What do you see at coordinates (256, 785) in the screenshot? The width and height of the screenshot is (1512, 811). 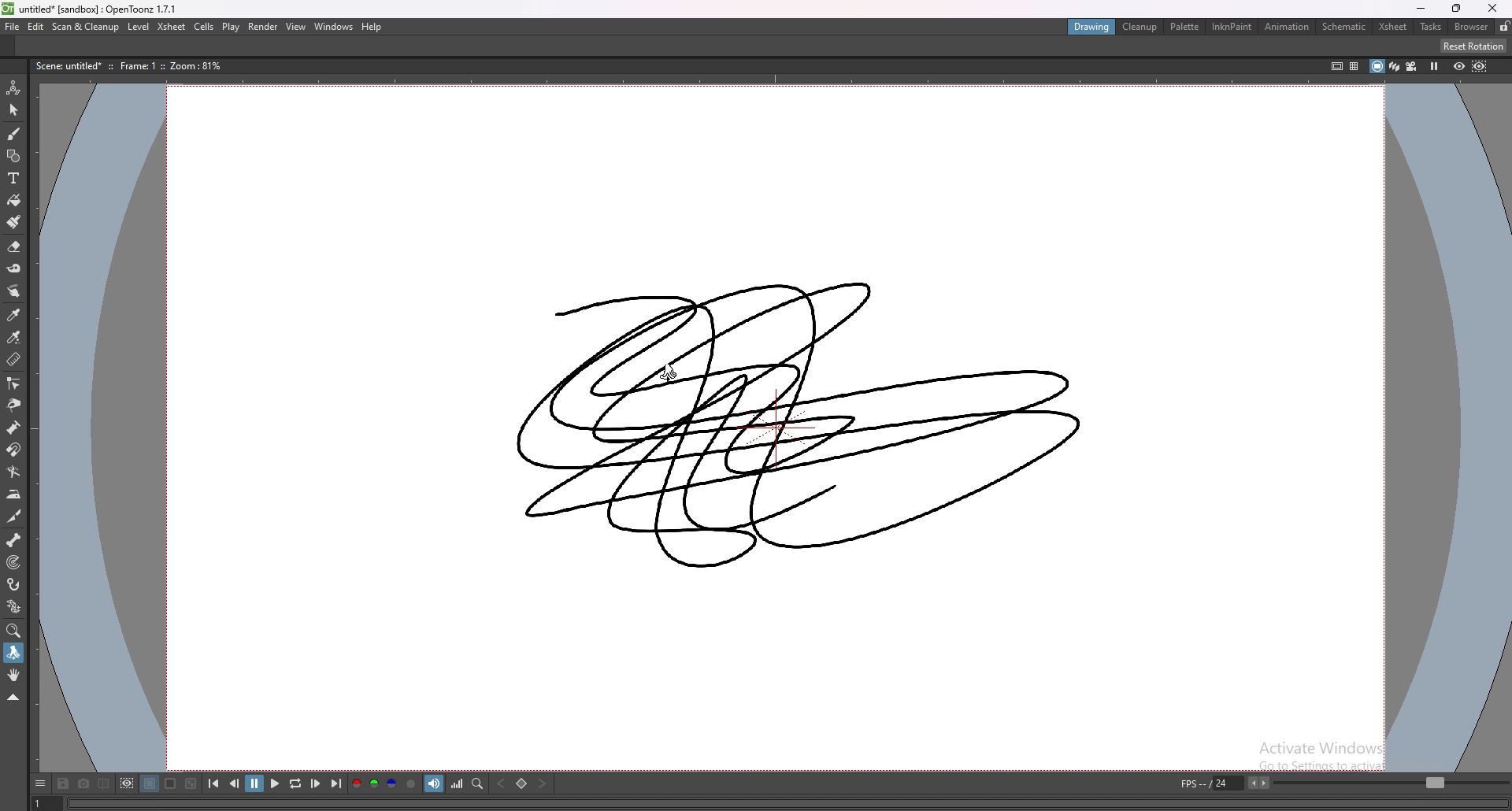 I see `pause` at bounding box center [256, 785].